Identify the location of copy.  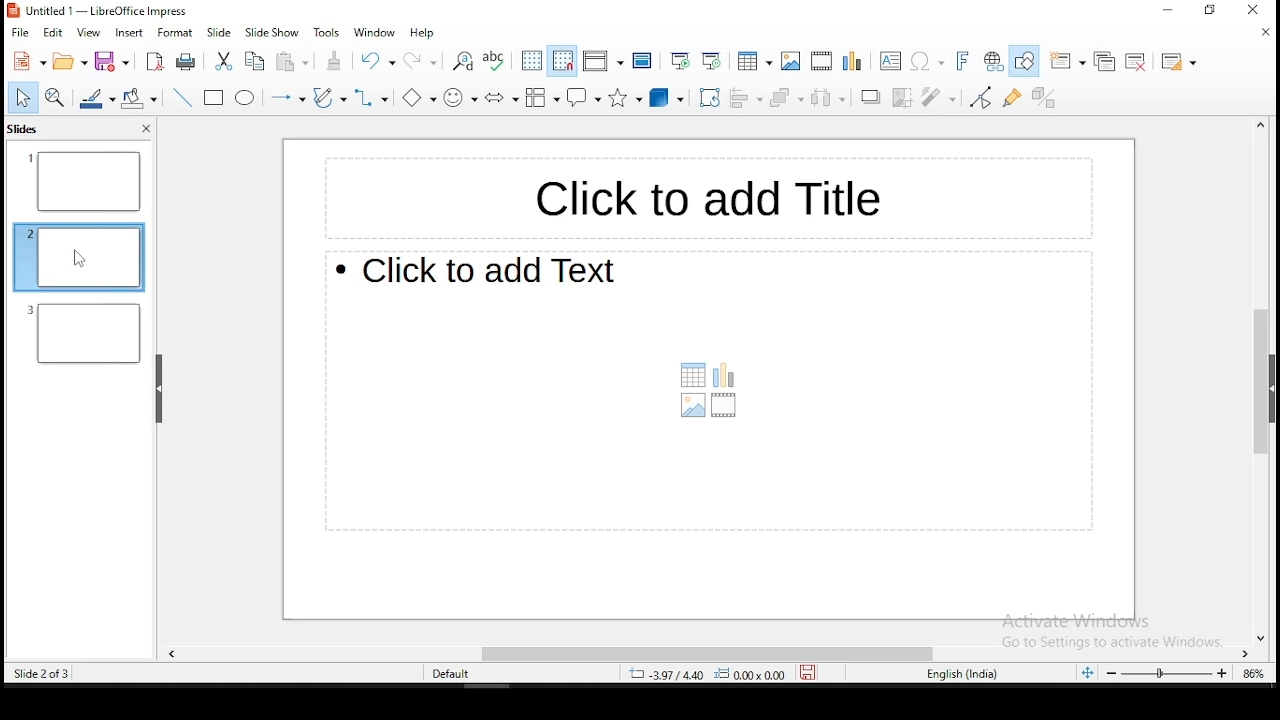
(257, 62).